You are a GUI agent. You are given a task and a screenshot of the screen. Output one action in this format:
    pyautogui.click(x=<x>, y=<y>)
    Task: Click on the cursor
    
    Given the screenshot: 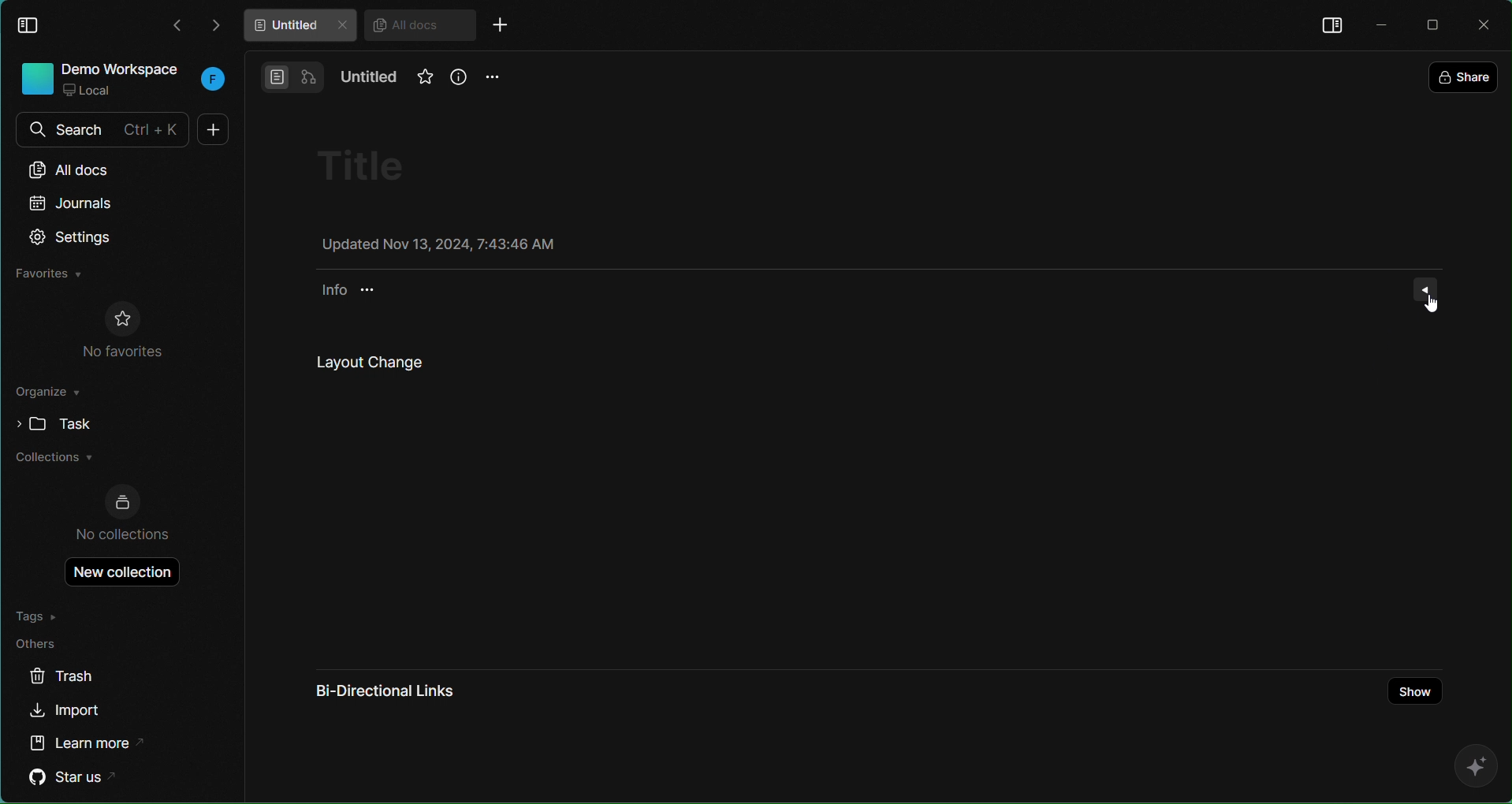 What is the action you would take?
    pyautogui.click(x=1434, y=302)
    